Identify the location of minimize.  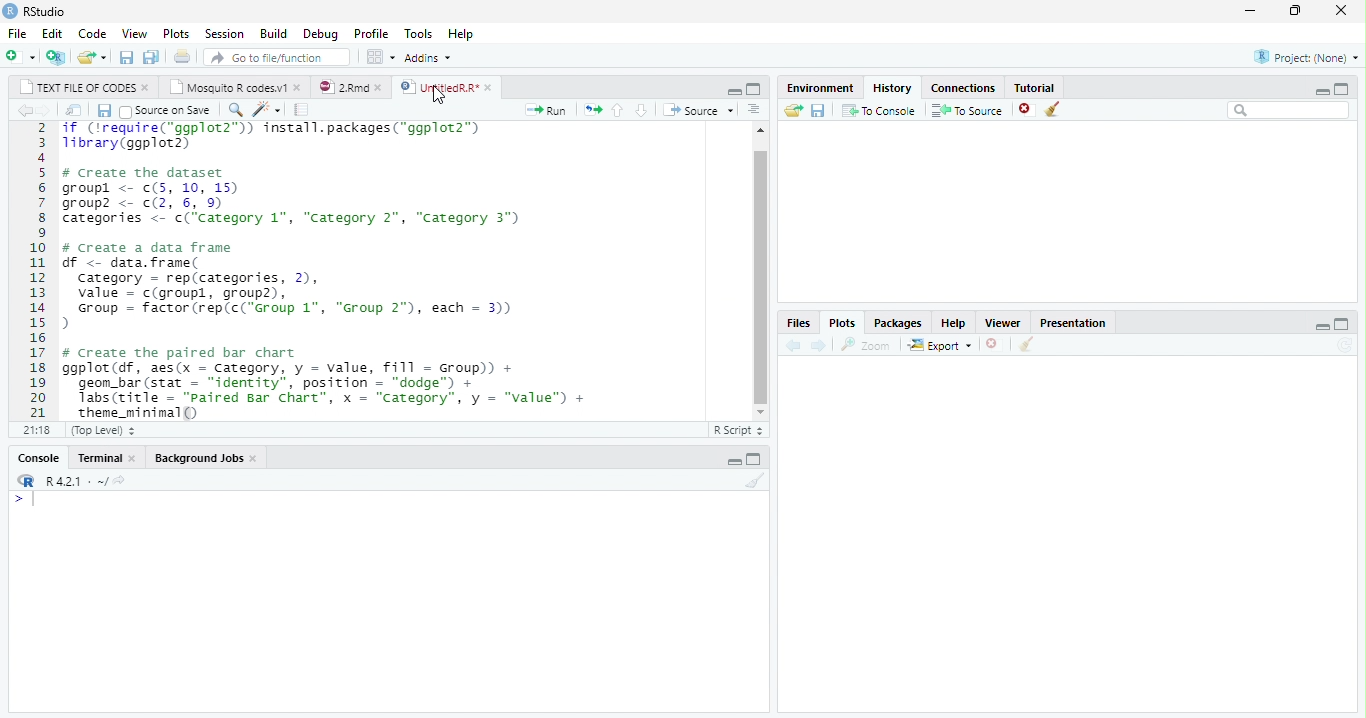
(1250, 10).